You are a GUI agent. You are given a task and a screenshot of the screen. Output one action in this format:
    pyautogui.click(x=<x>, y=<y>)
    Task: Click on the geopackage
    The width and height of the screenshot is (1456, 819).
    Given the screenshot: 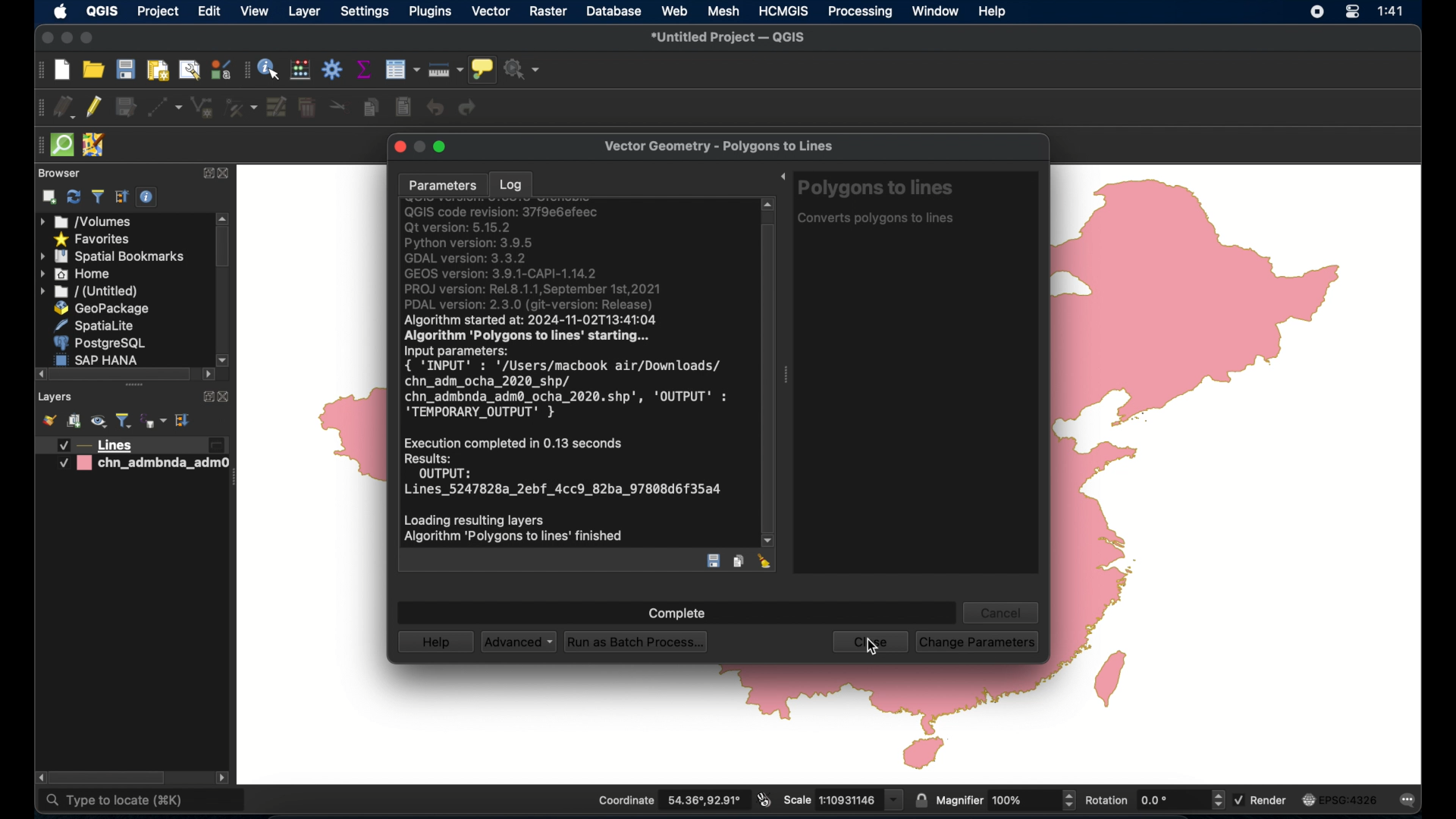 What is the action you would take?
    pyautogui.click(x=105, y=309)
    